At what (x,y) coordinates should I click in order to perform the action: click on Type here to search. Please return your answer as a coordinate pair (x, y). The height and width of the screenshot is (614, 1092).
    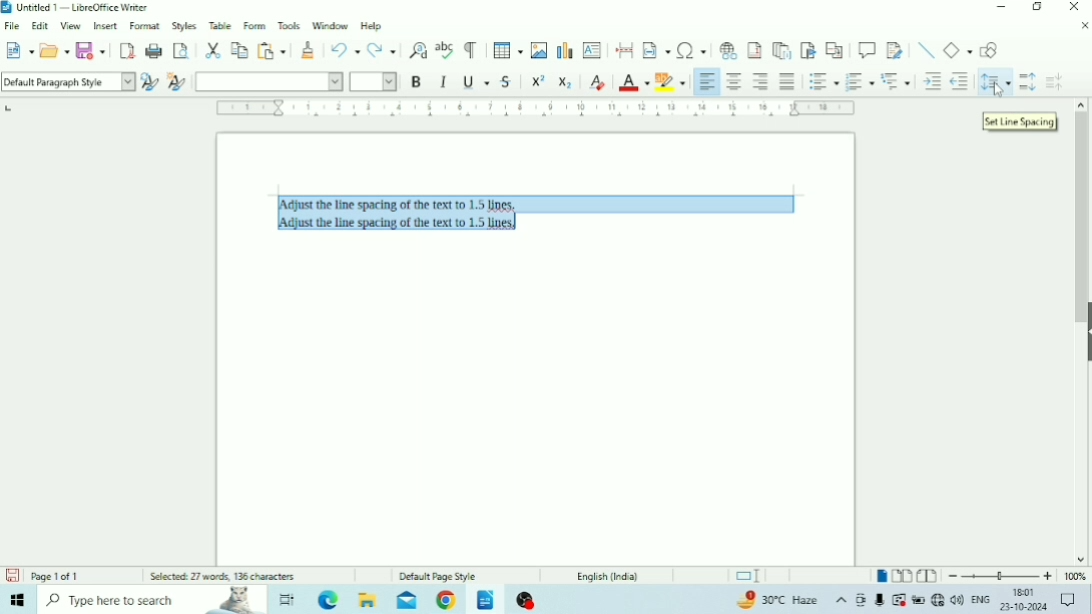
    Looking at the image, I should click on (152, 600).